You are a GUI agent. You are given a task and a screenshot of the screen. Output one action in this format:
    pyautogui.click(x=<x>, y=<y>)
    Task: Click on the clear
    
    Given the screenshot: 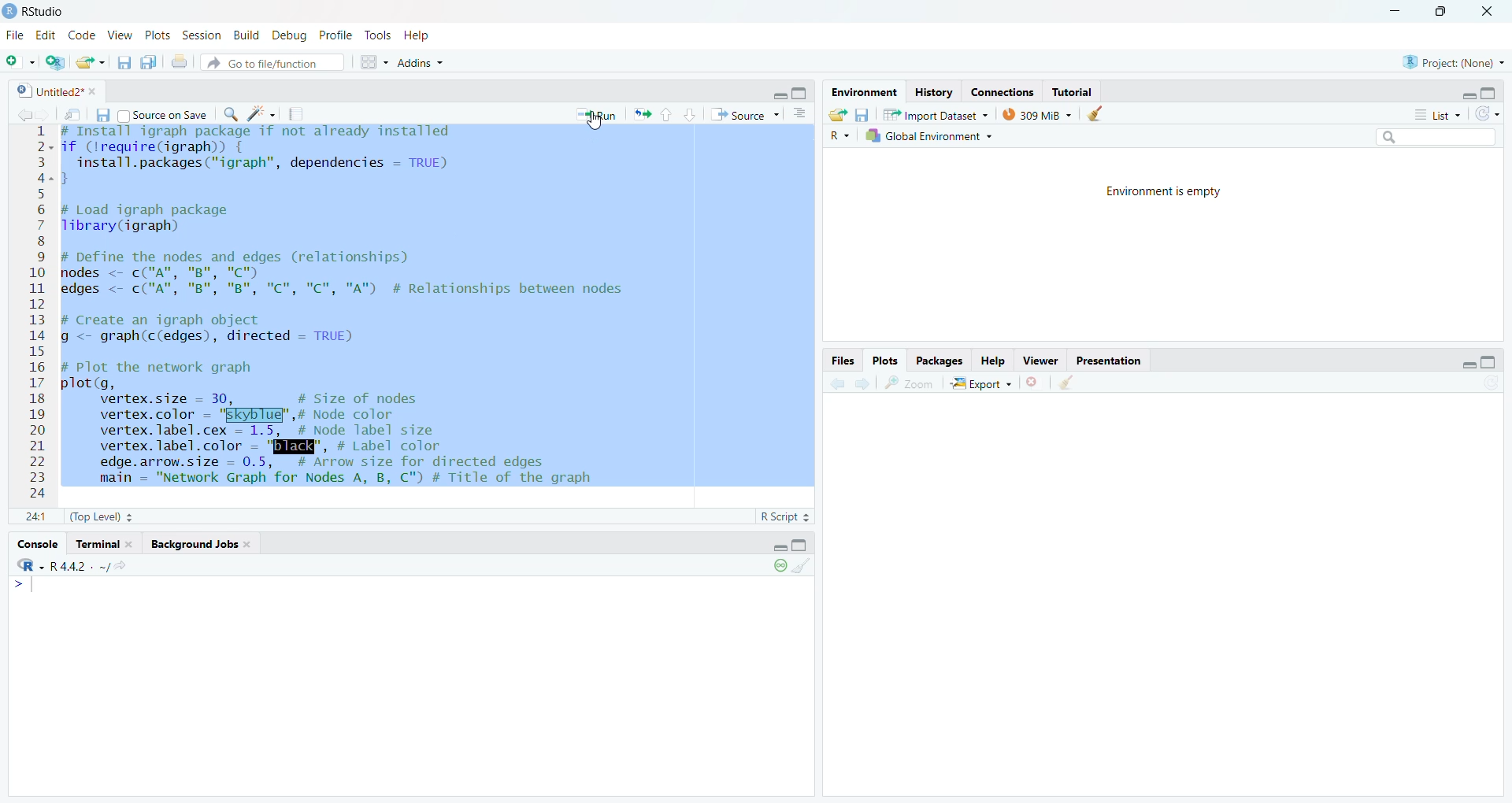 What is the action you would take?
    pyautogui.click(x=1098, y=115)
    